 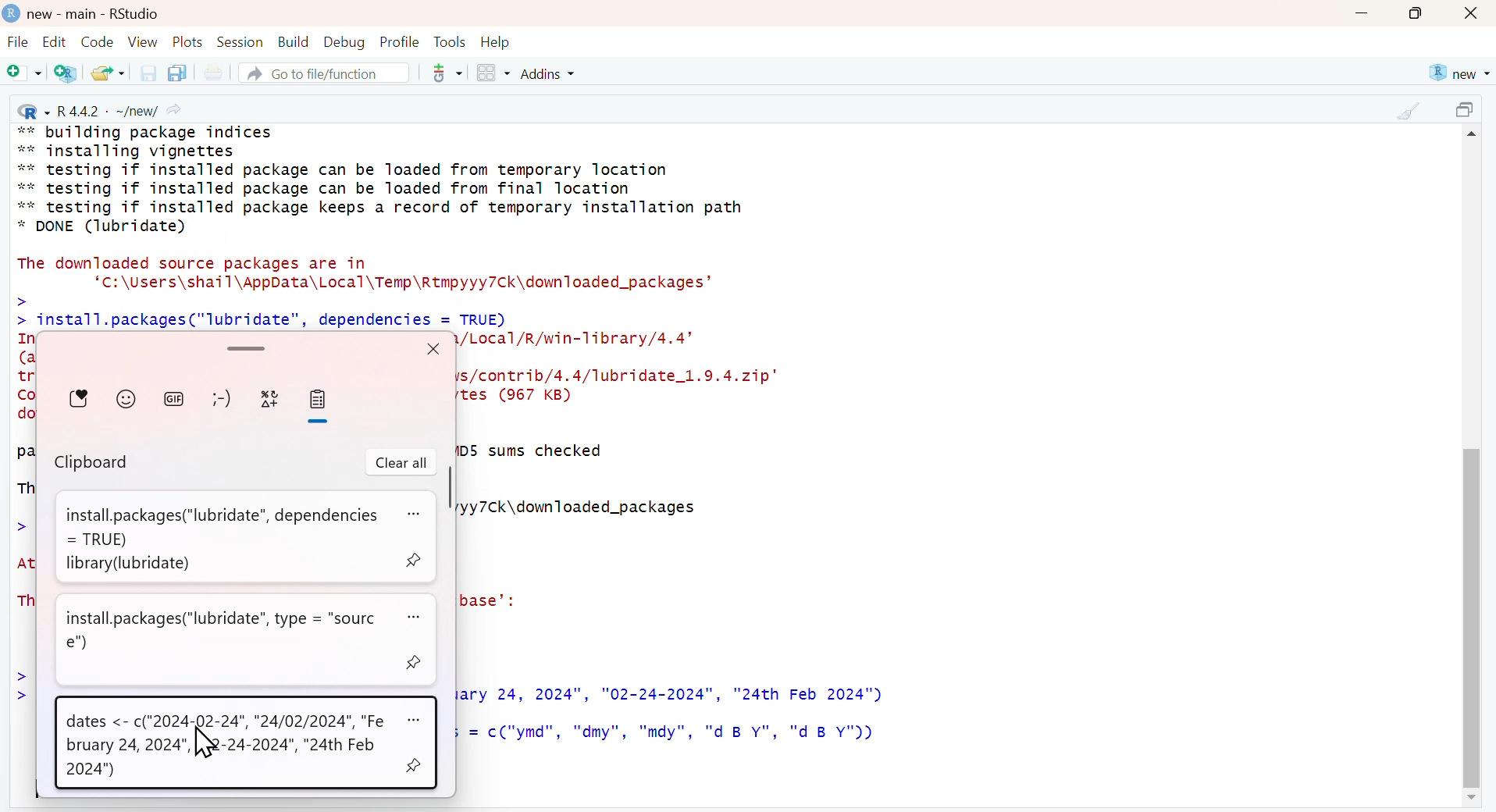 I want to click on Create a project, so click(x=67, y=73).